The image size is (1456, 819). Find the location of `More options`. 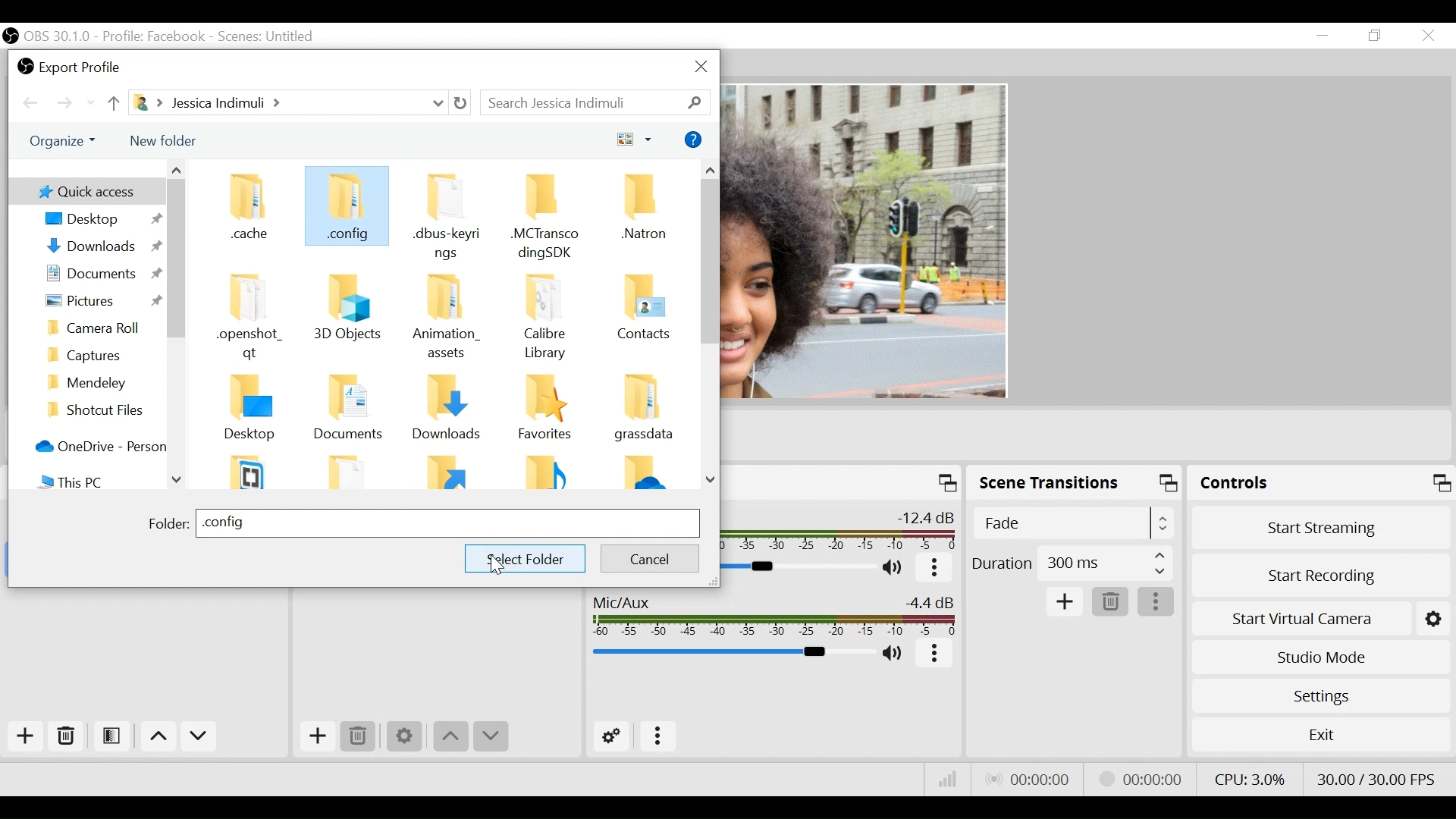

More options is located at coordinates (1156, 601).